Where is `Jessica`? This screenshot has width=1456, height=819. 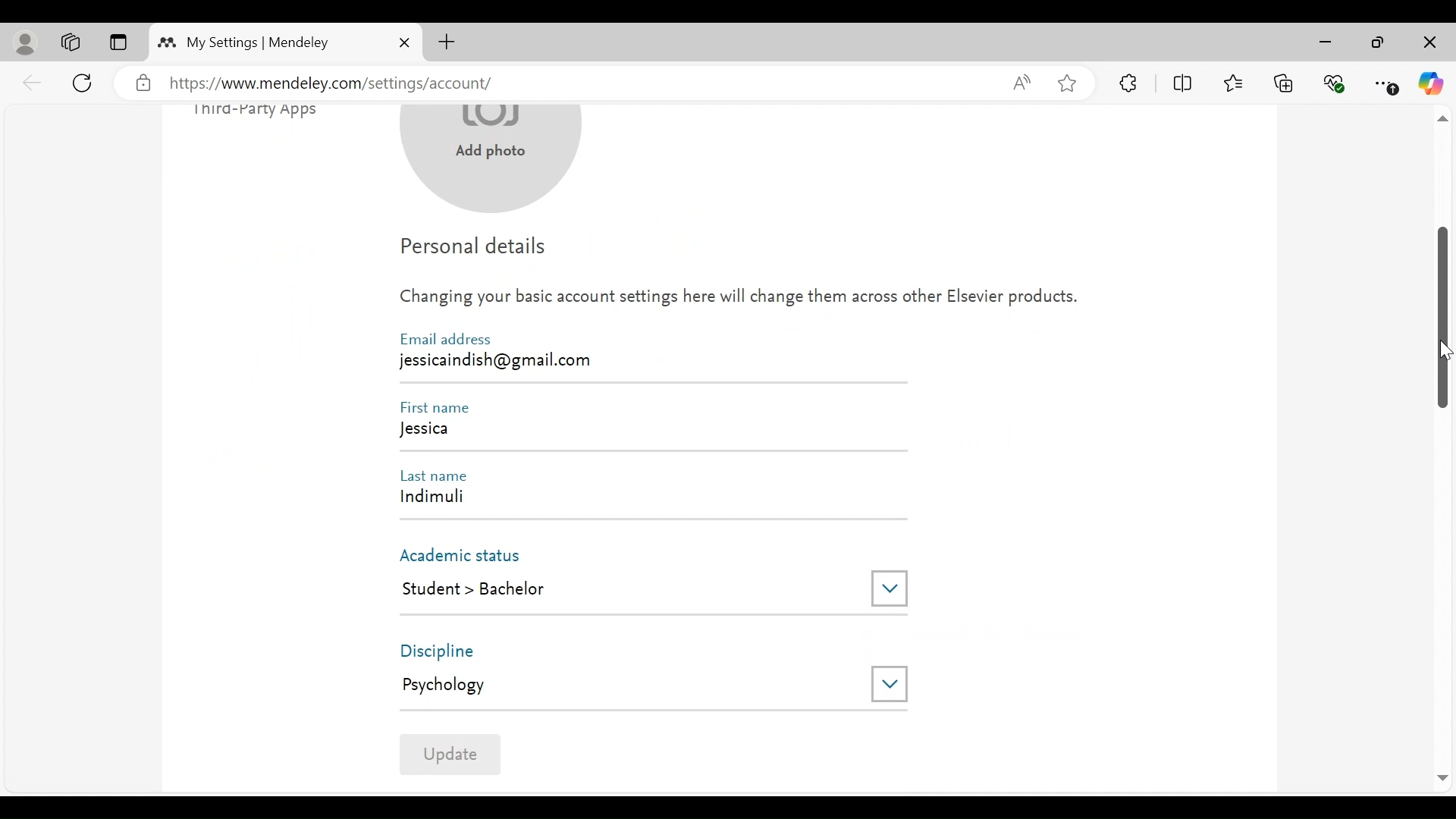 Jessica is located at coordinates (650, 432).